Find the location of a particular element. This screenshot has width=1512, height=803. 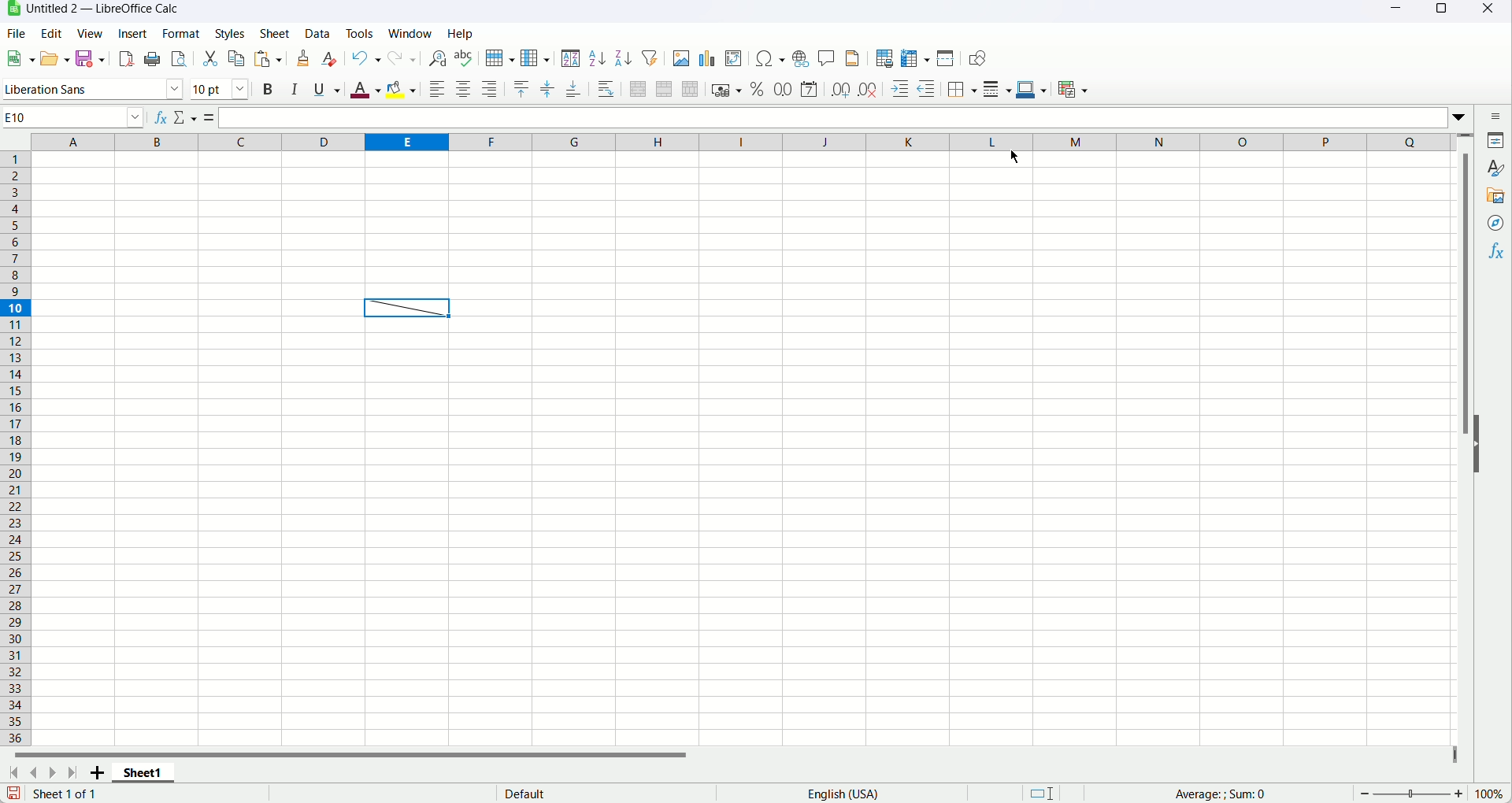

Vertical scroll bar is located at coordinates (1463, 439).